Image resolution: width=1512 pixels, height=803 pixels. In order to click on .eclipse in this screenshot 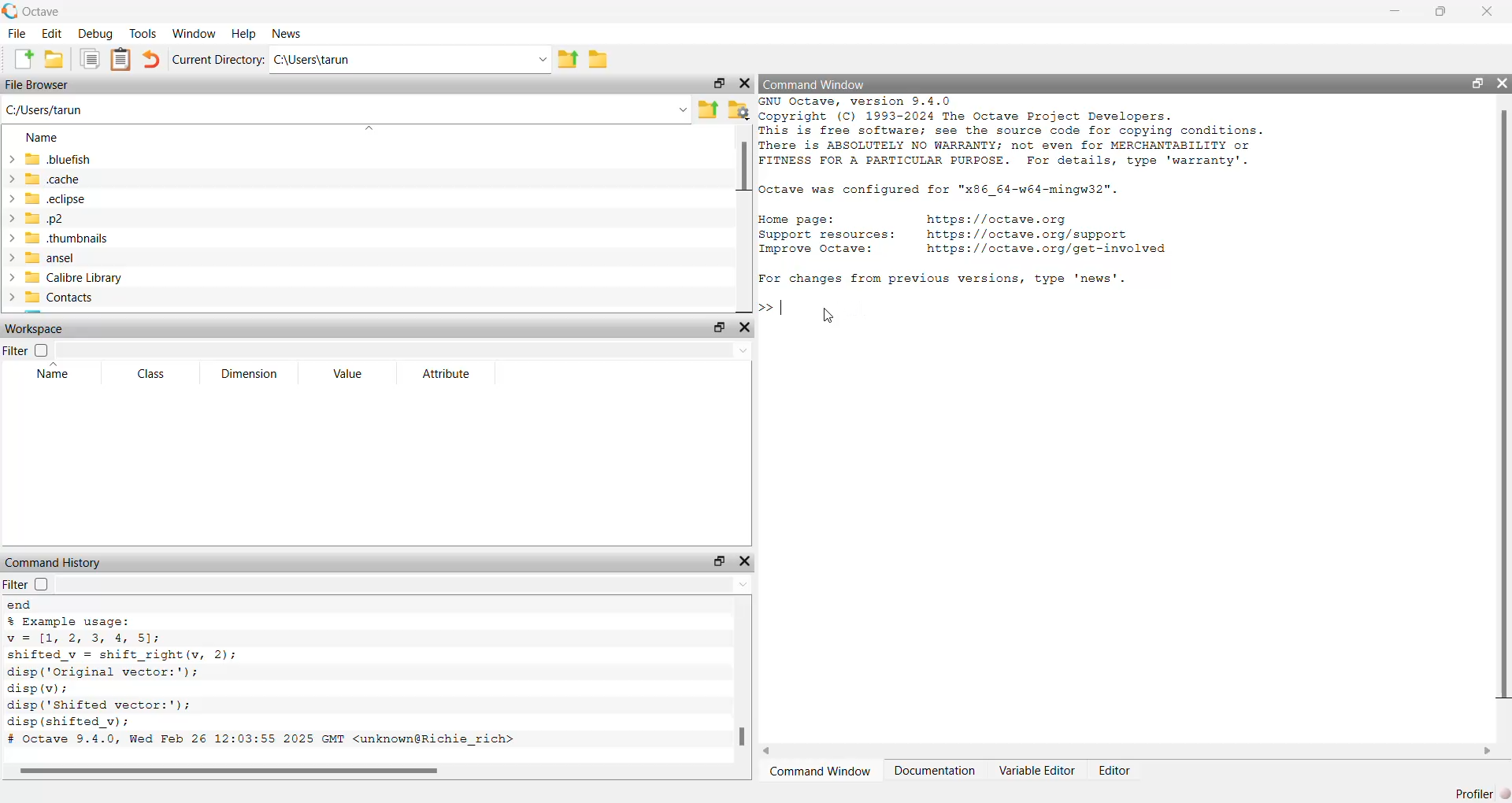, I will do `click(103, 199)`.